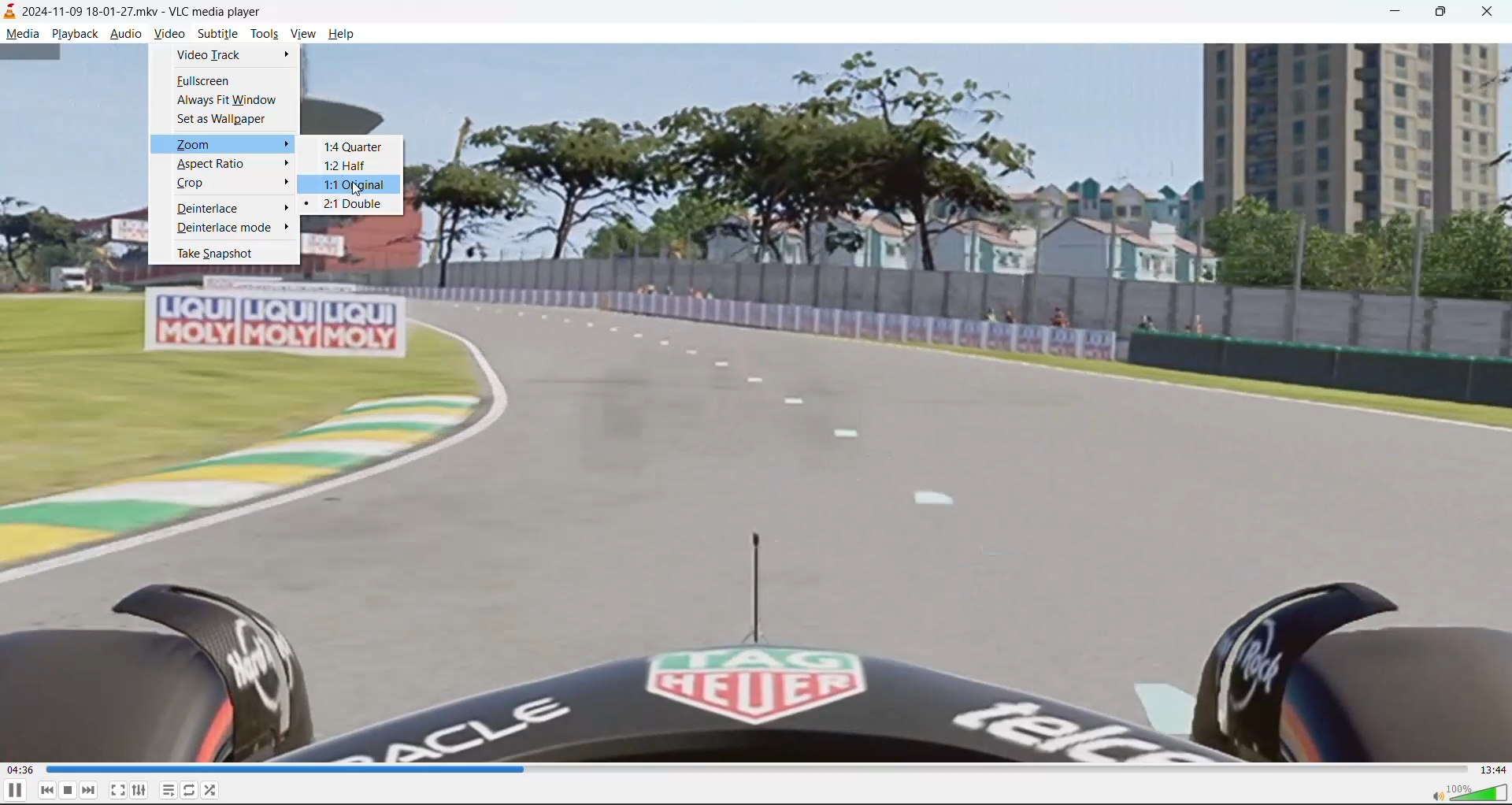  I want to click on 1:2 half, so click(345, 167).